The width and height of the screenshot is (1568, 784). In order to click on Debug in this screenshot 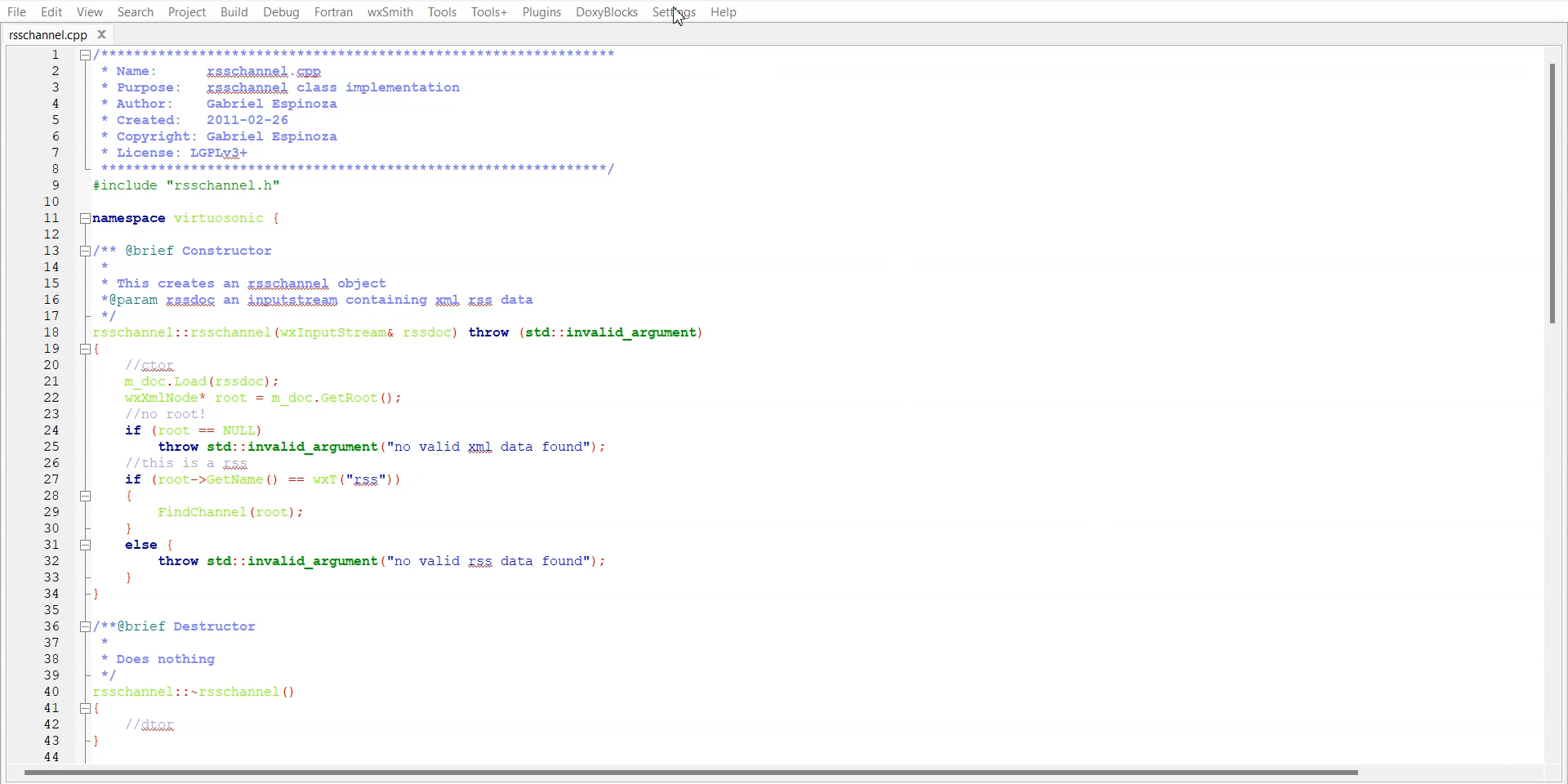, I will do `click(282, 13)`.